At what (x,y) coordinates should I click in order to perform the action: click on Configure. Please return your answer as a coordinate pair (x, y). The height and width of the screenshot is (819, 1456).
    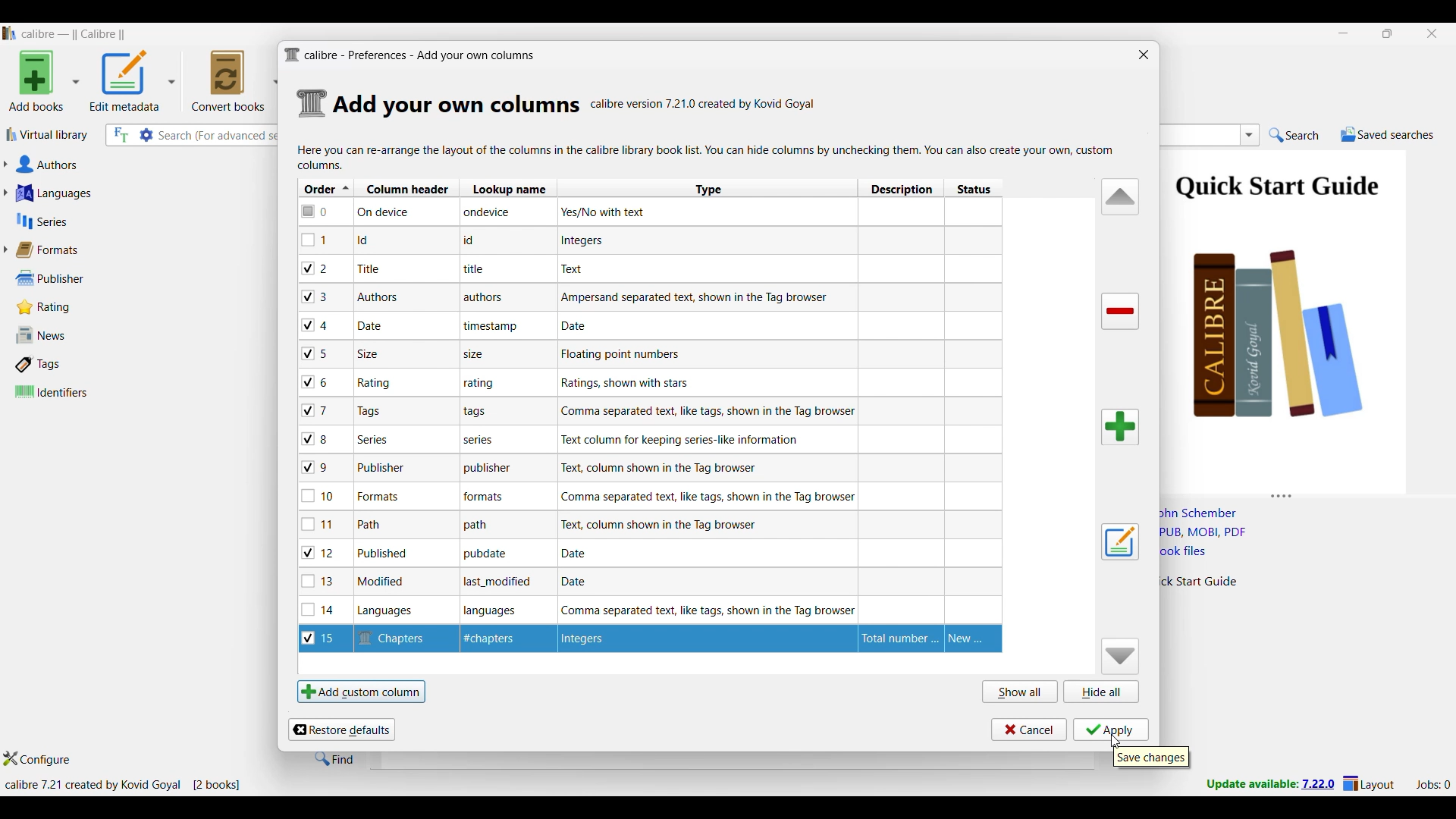
    Looking at the image, I should click on (37, 758).